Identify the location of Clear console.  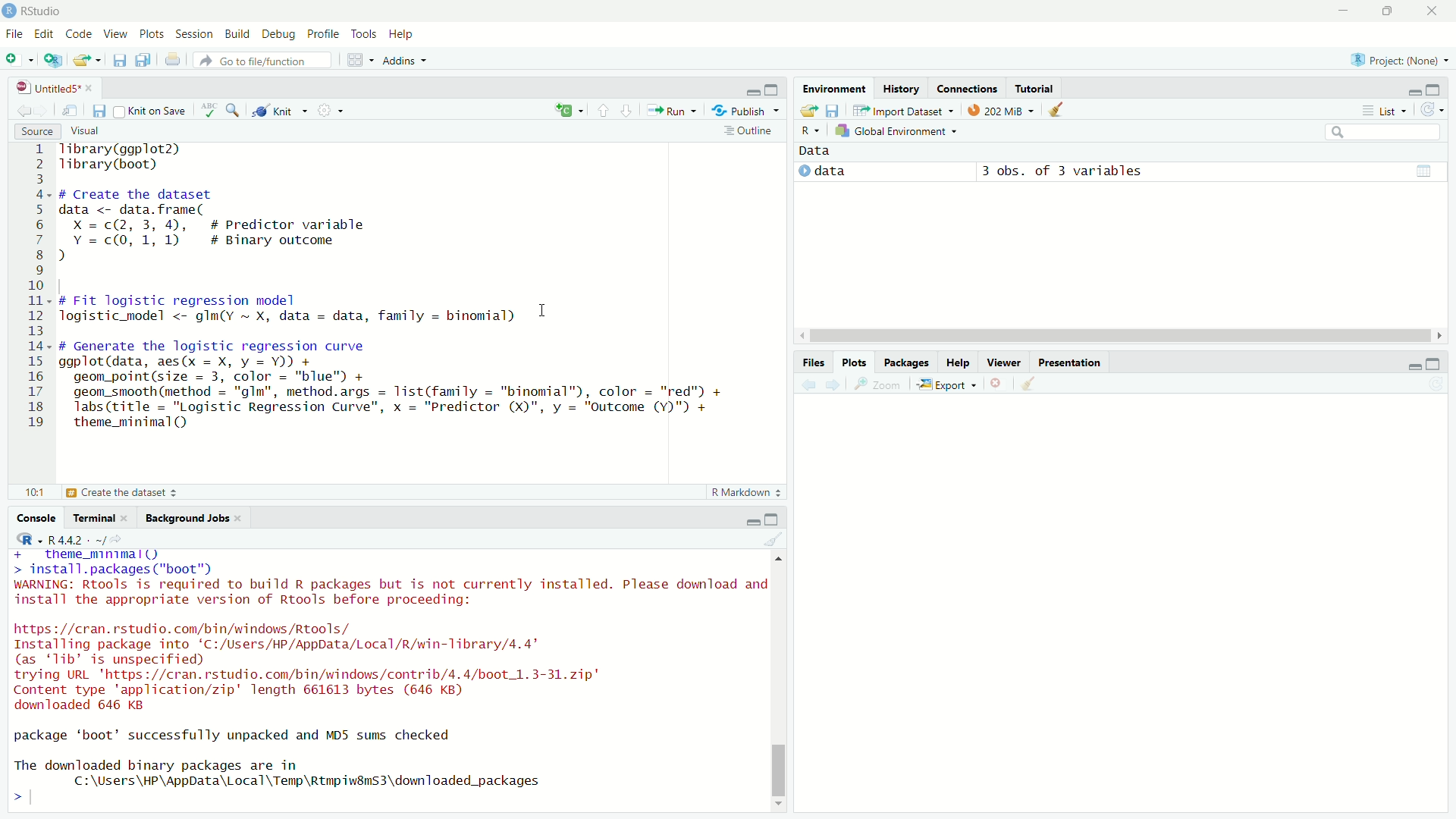
(773, 538).